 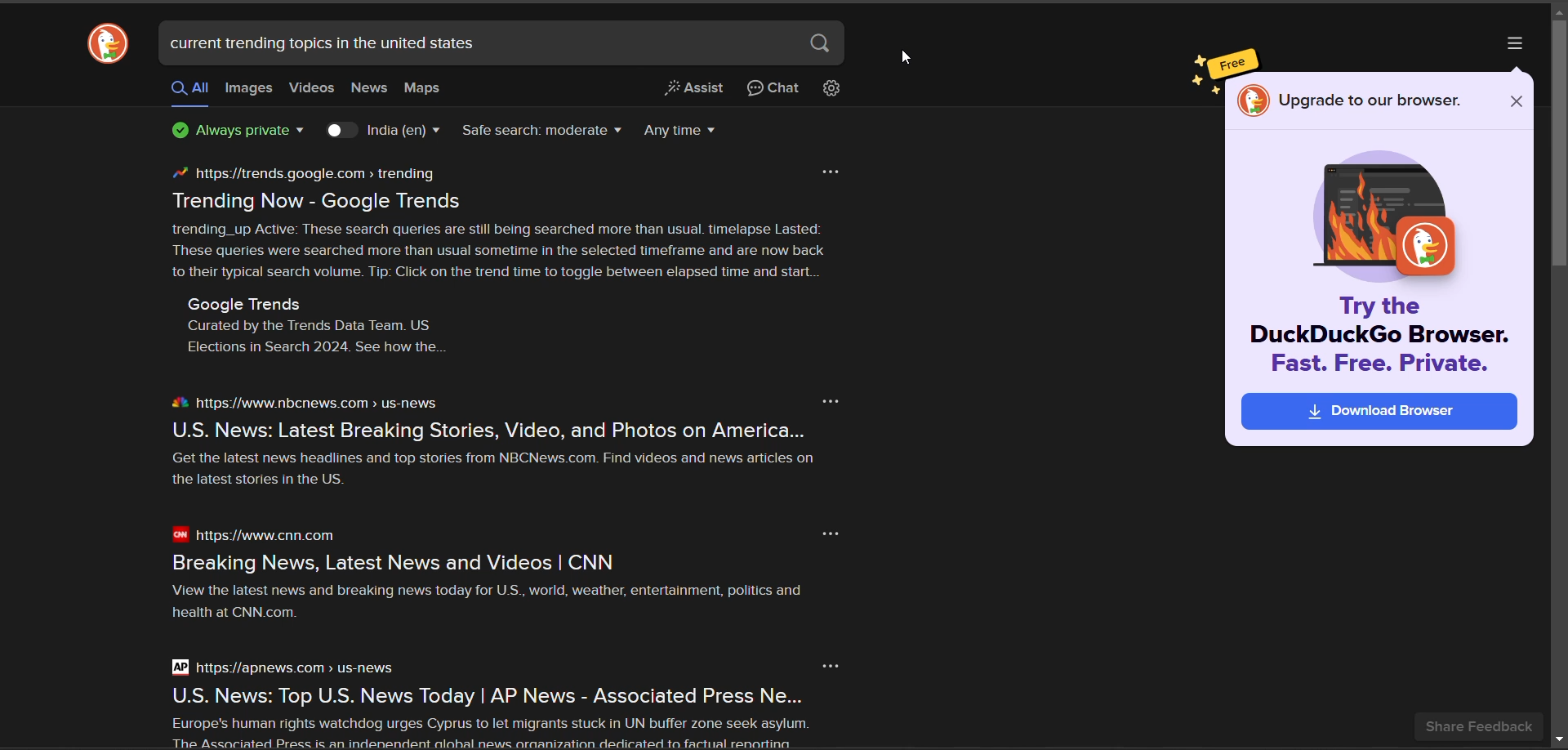 What do you see at coordinates (189, 93) in the screenshot?
I see `all` at bounding box center [189, 93].